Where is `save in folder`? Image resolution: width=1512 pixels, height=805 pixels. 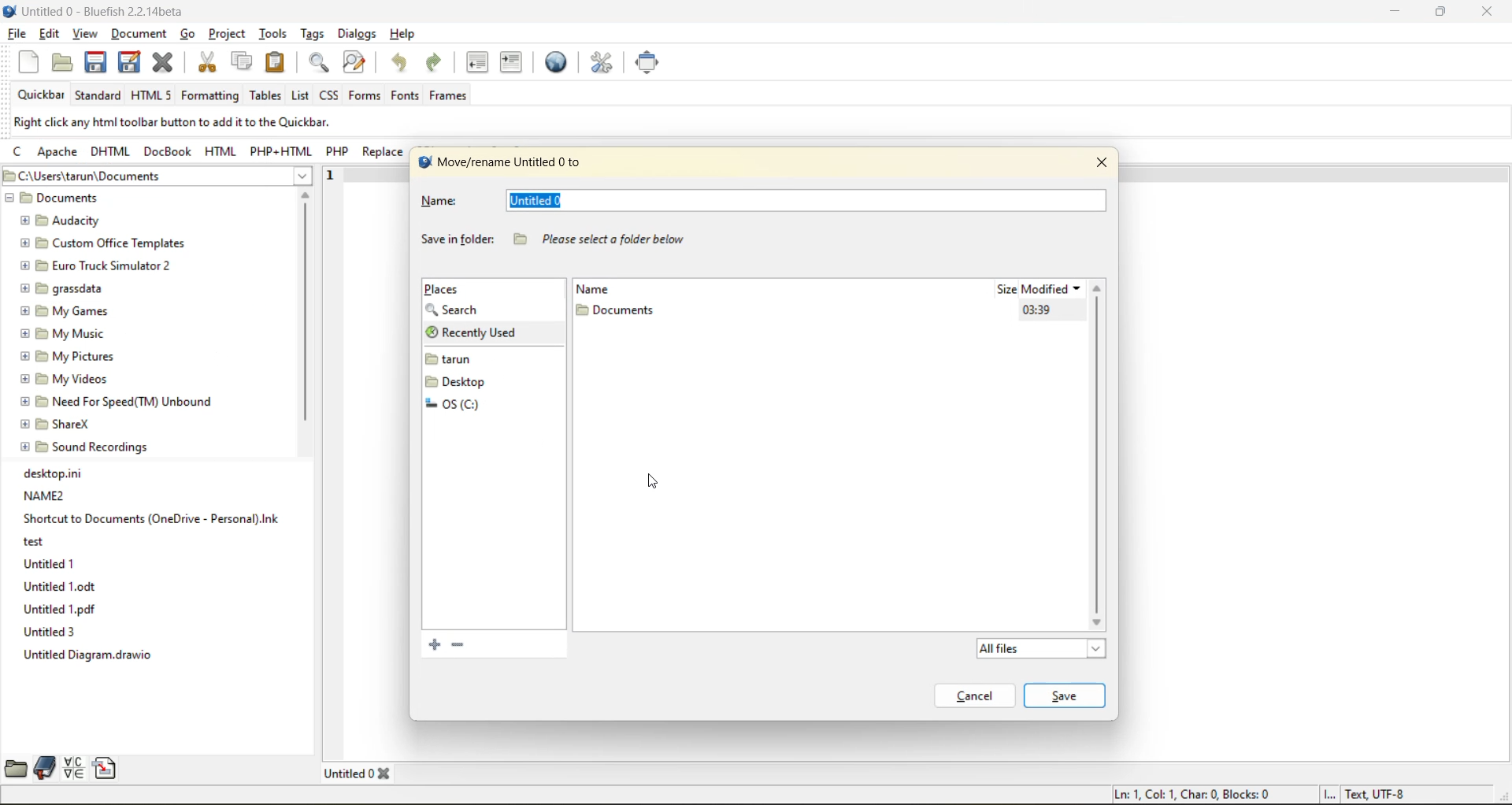
save in folder is located at coordinates (457, 239).